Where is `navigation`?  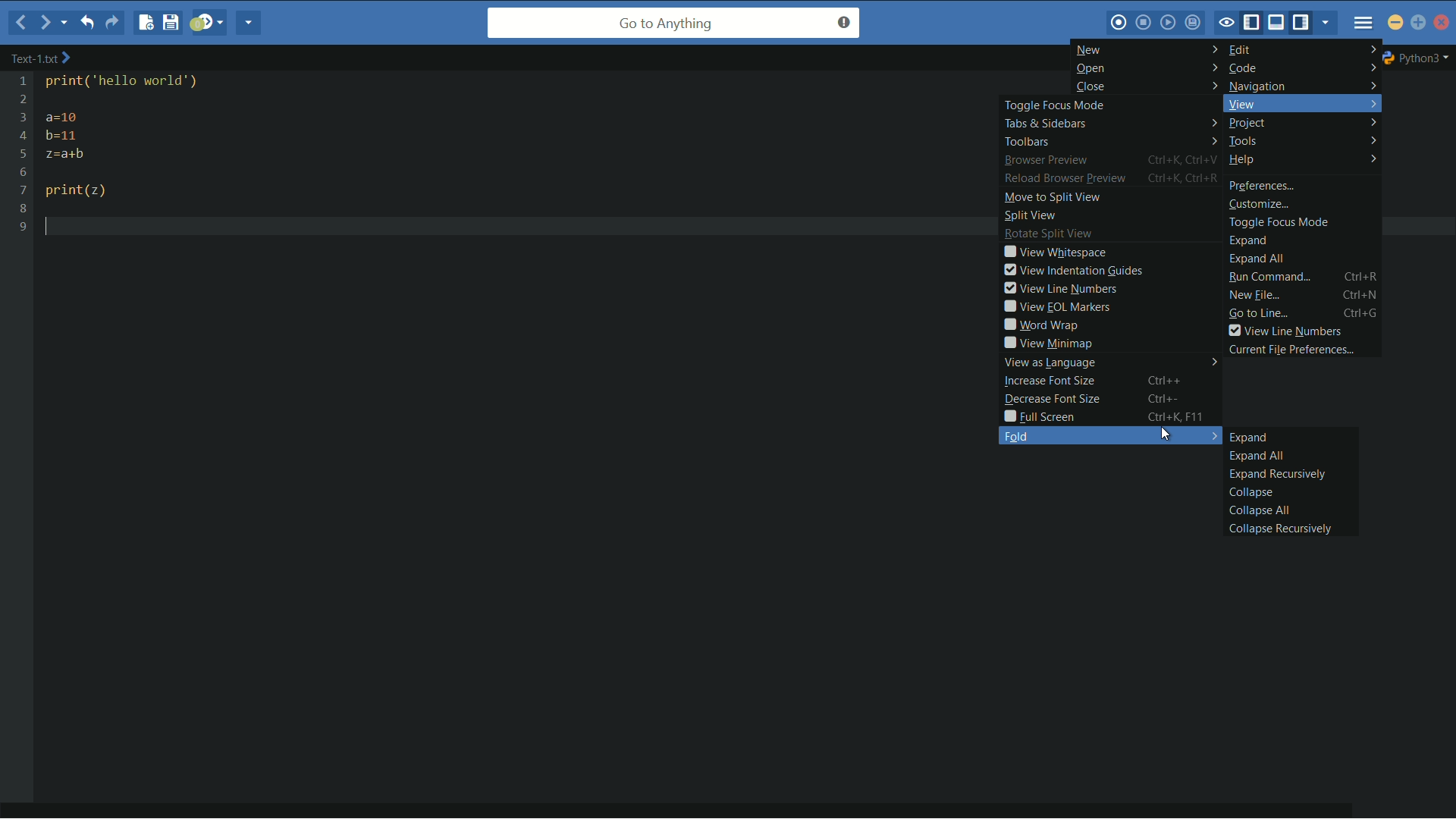 navigation is located at coordinates (1298, 86).